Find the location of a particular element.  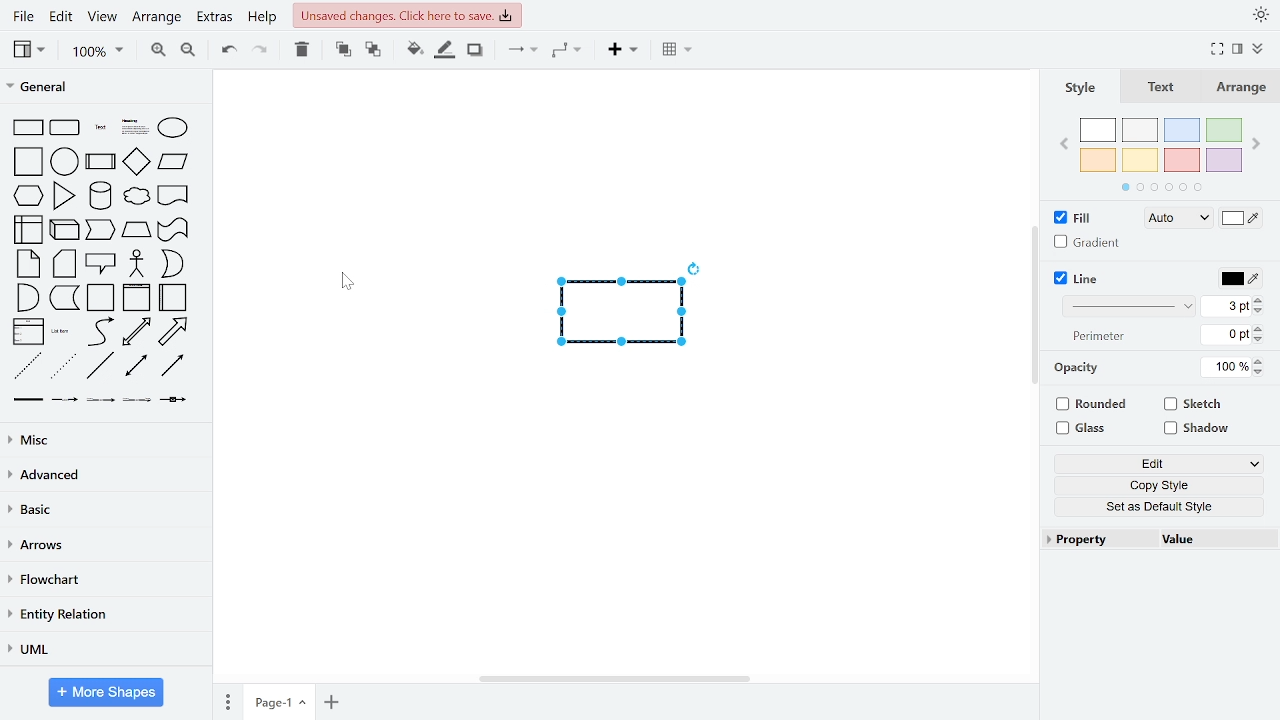

text is located at coordinates (1100, 337).